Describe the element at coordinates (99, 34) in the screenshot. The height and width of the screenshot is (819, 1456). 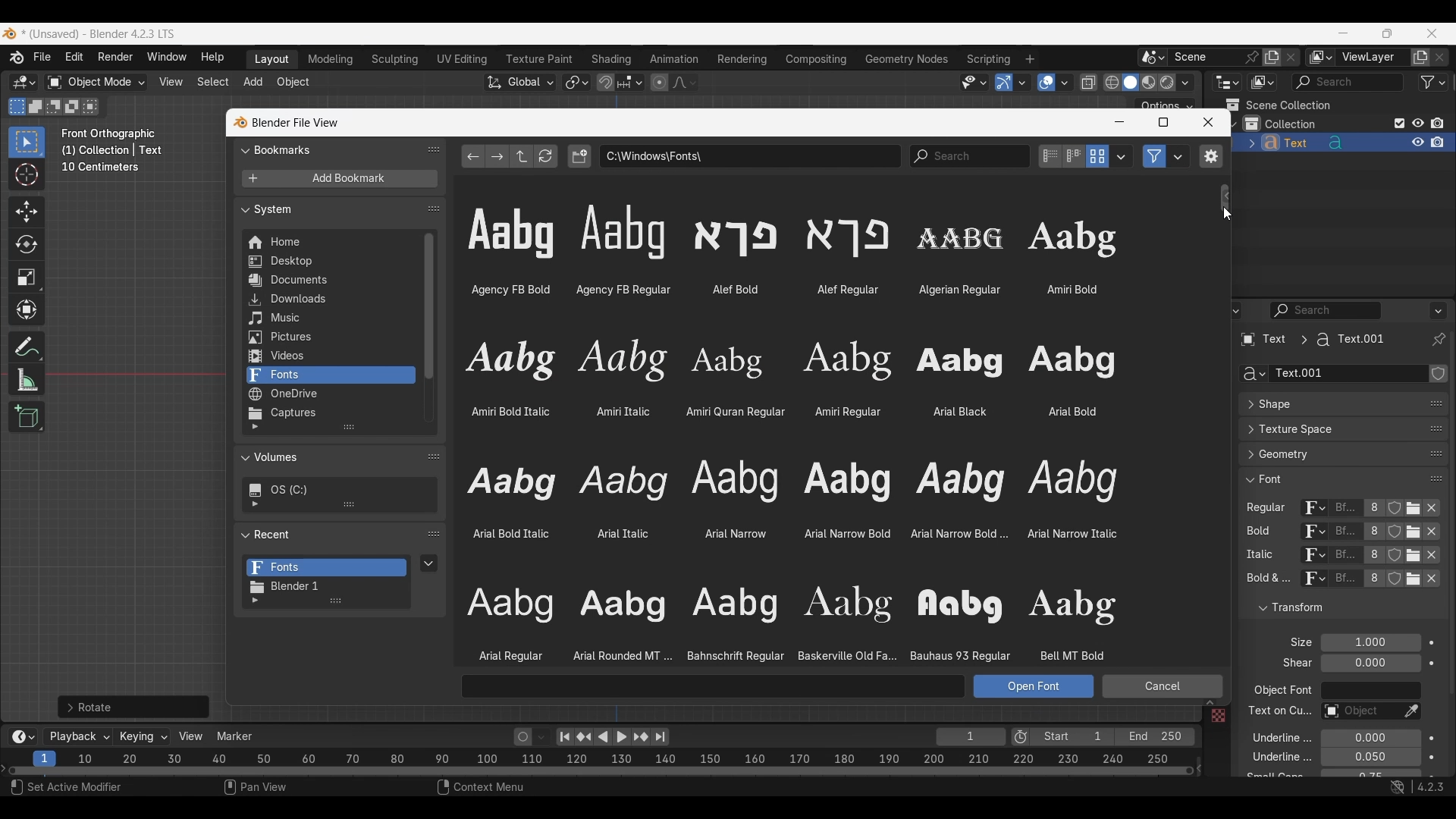
I see `Project and software name` at that location.